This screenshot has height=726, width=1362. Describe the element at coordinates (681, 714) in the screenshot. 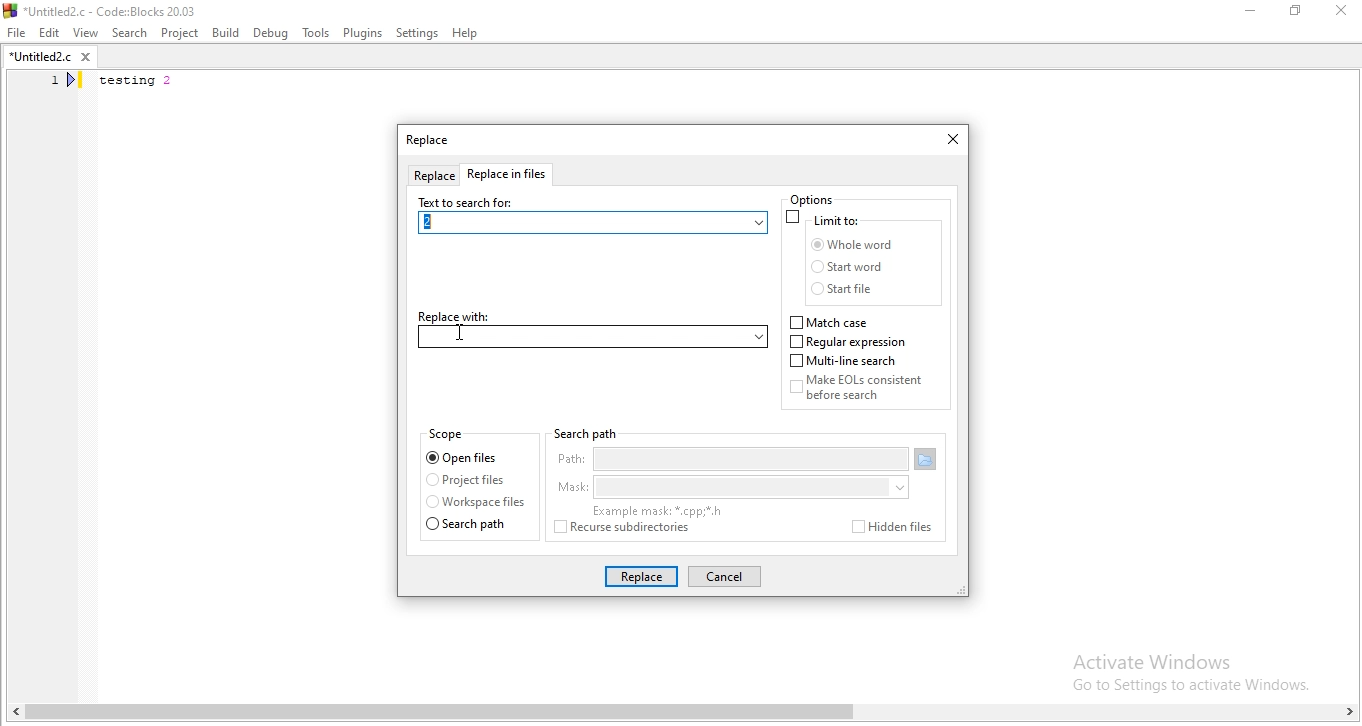

I see `scroll bar` at that location.